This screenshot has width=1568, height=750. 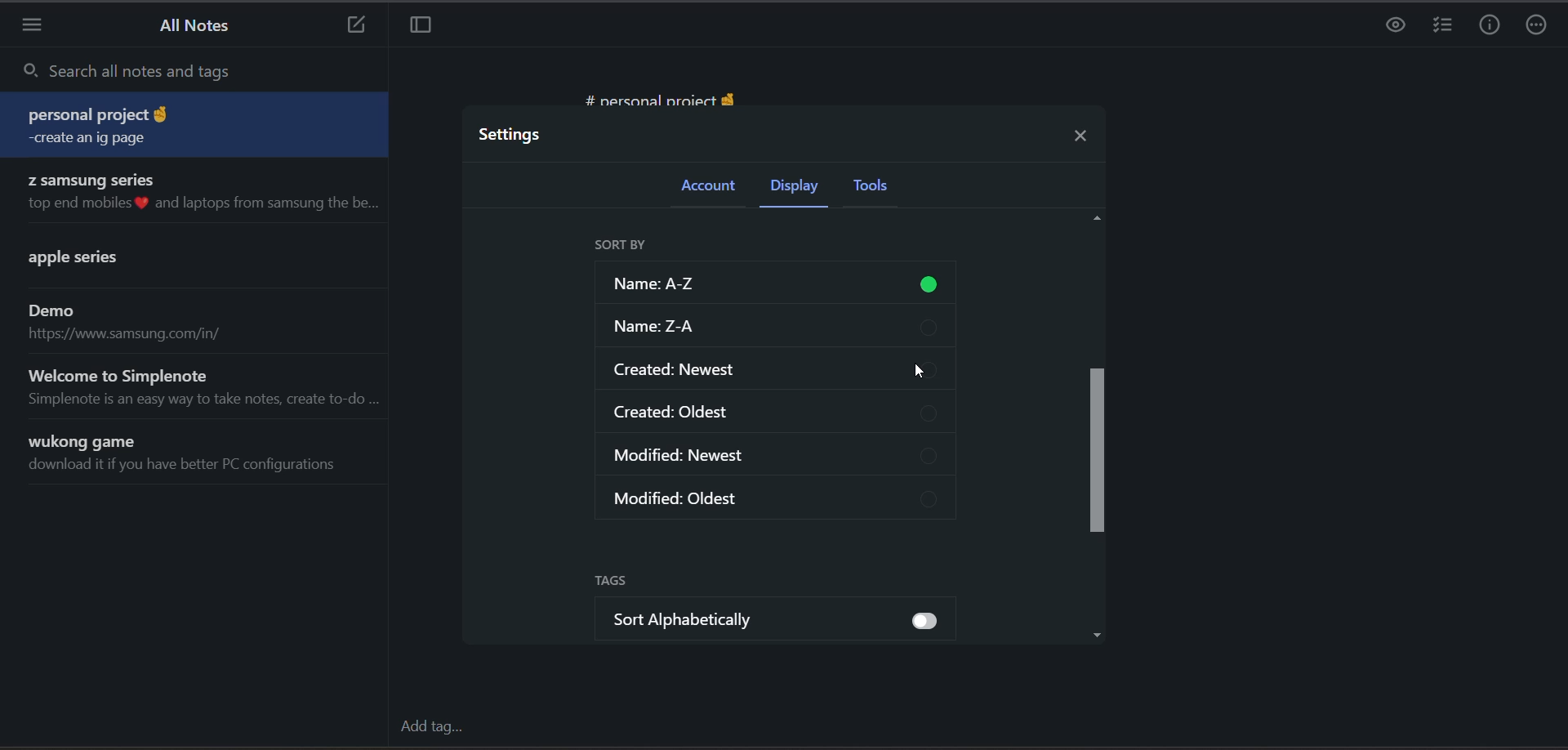 I want to click on Up, so click(x=1102, y=219).